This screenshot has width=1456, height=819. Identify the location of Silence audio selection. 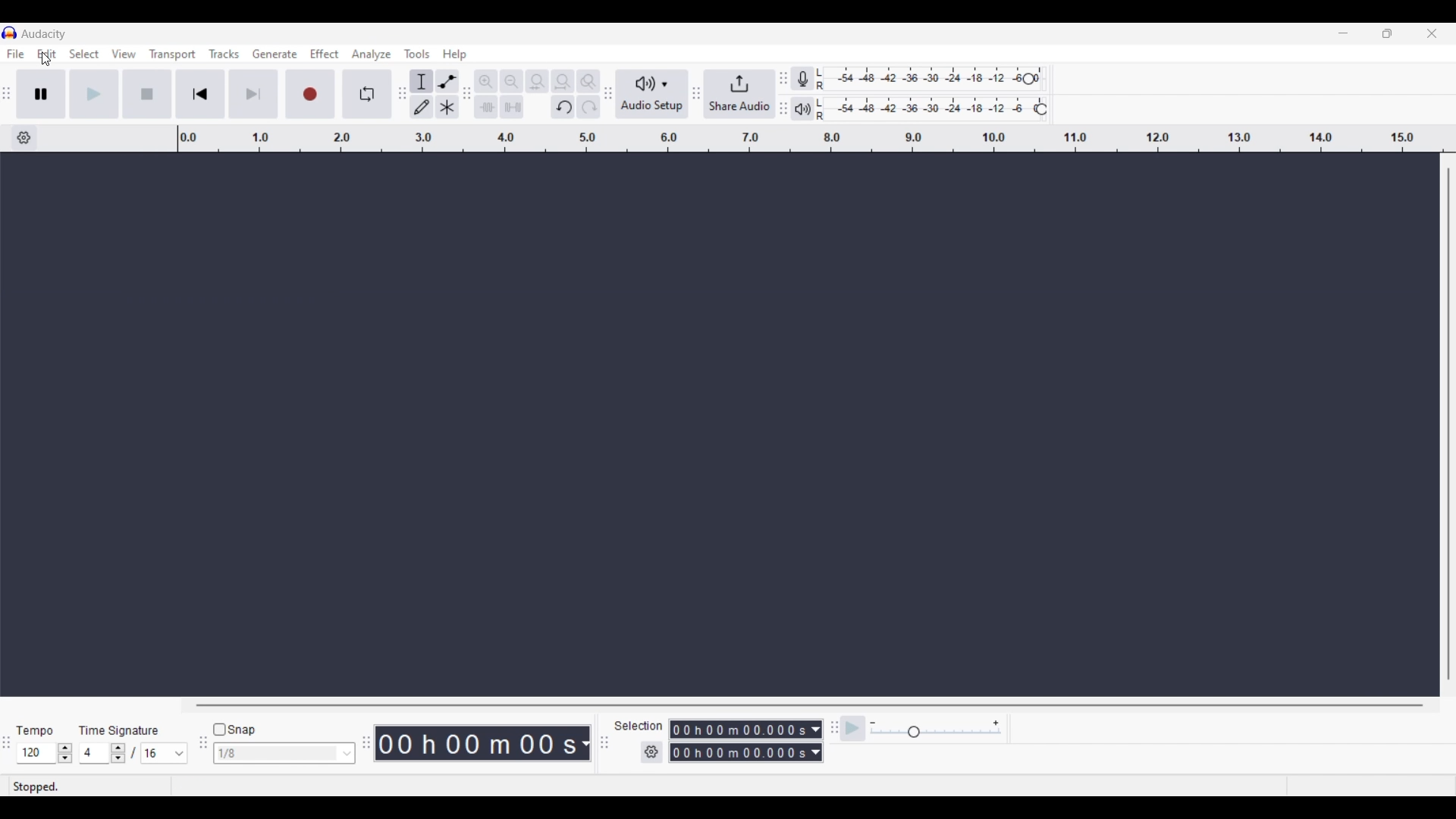
(512, 107).